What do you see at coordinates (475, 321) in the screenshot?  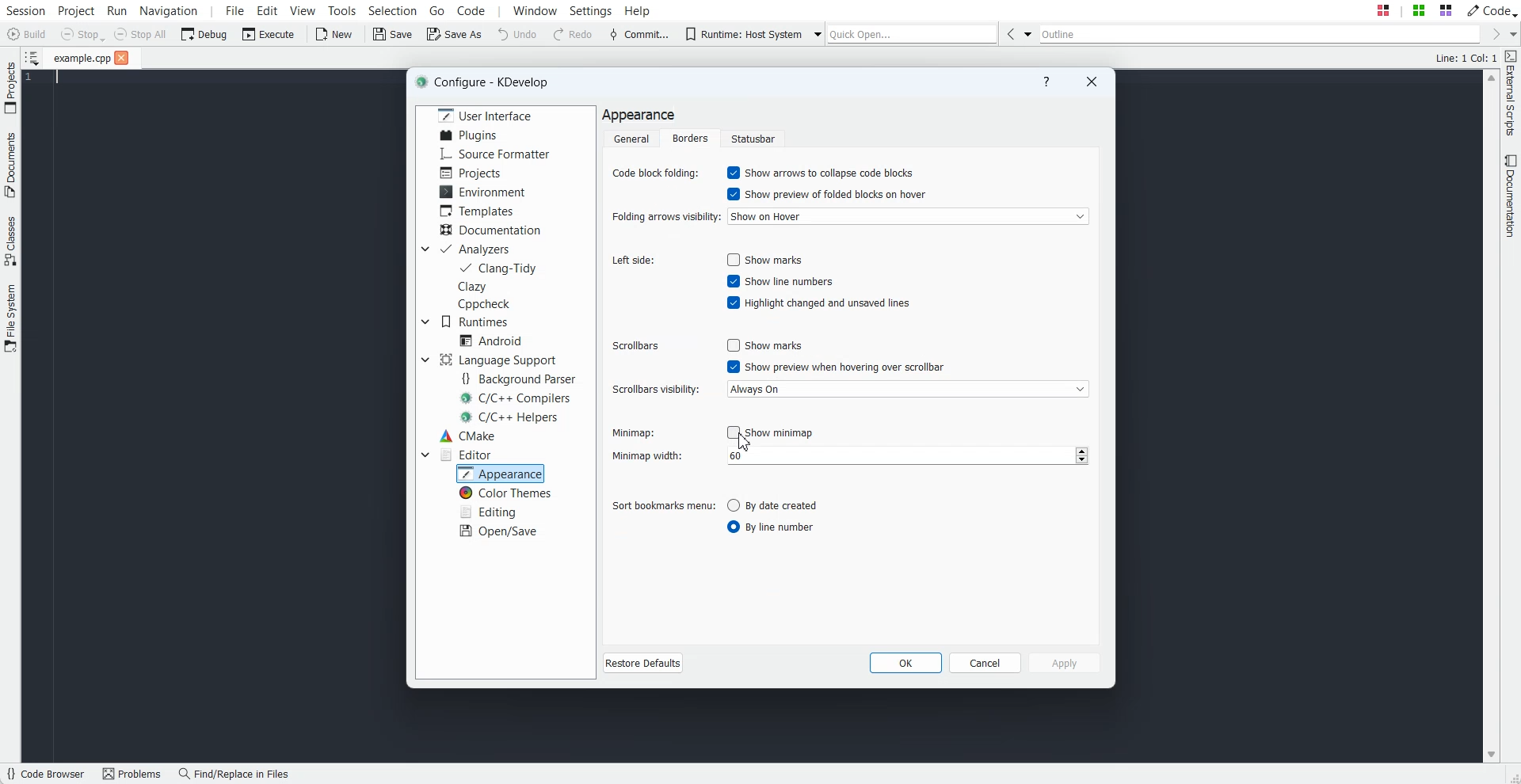 I see `Runtimes` at bounding box center [475, 321].